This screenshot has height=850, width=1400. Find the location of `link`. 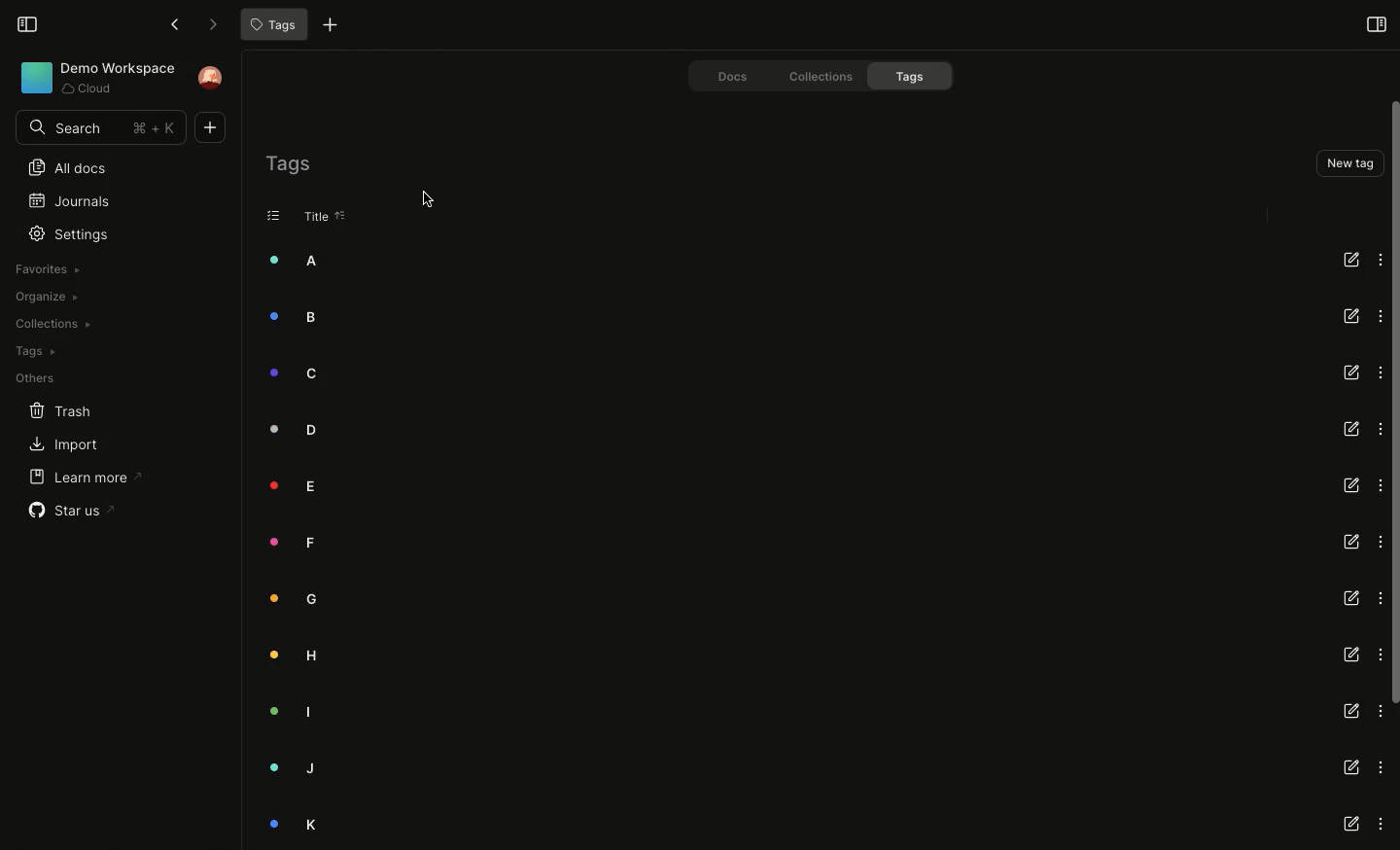

link is located at coordinates (1351, 765).